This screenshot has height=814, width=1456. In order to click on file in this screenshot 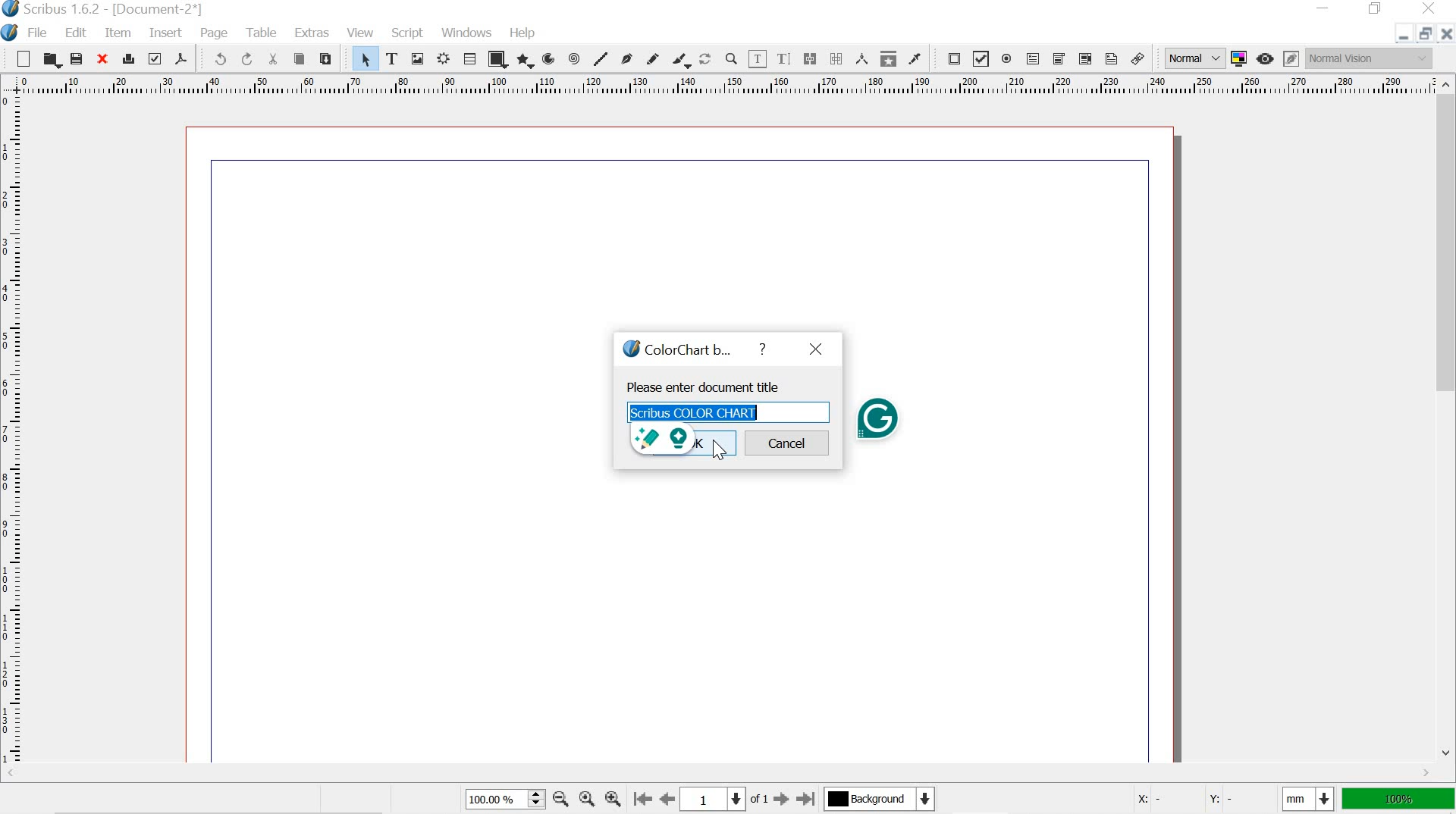, I will do `click(39, 34)`.